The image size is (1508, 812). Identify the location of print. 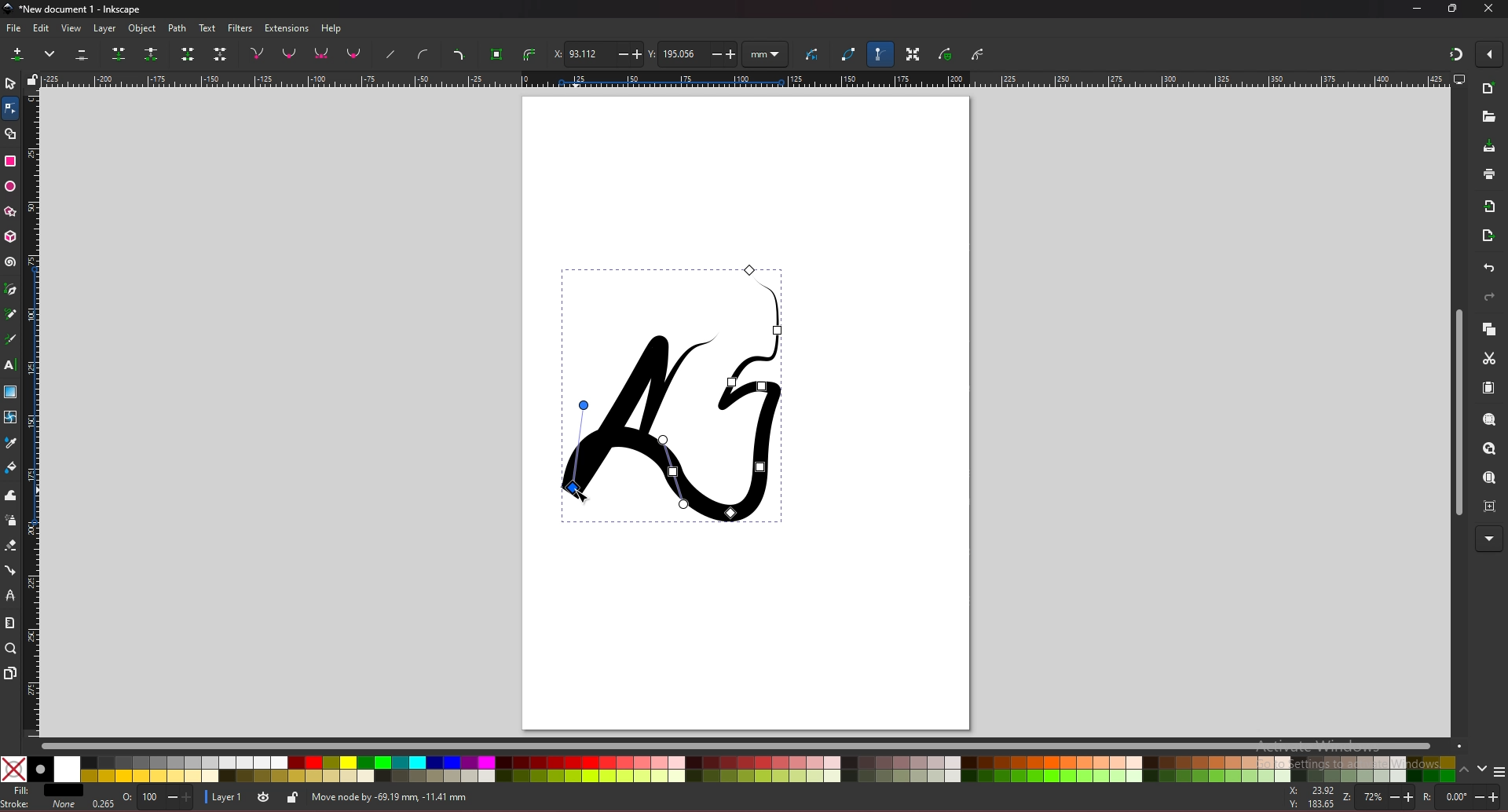
(1490, 174).